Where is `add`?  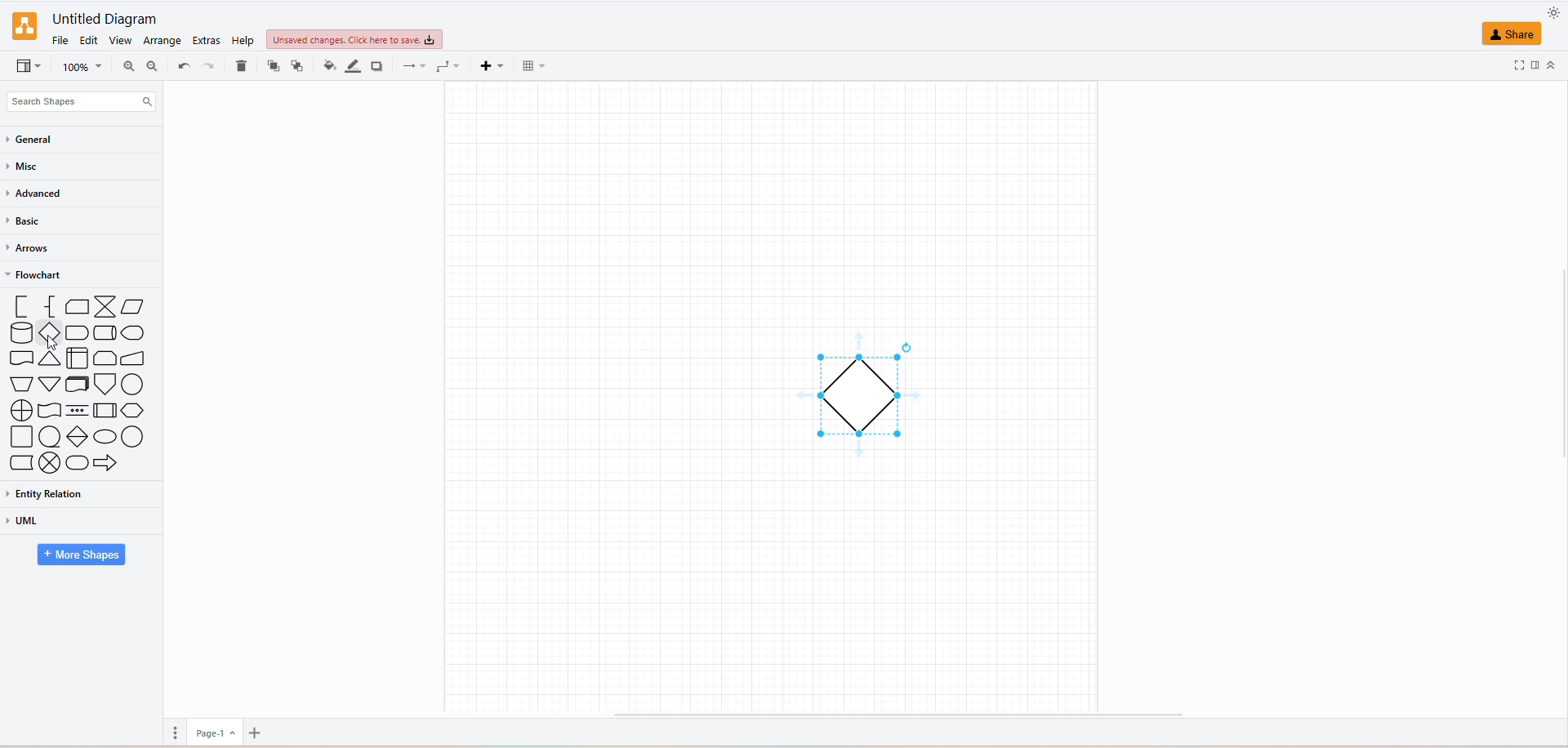
add is located at coordinates (261, 730).